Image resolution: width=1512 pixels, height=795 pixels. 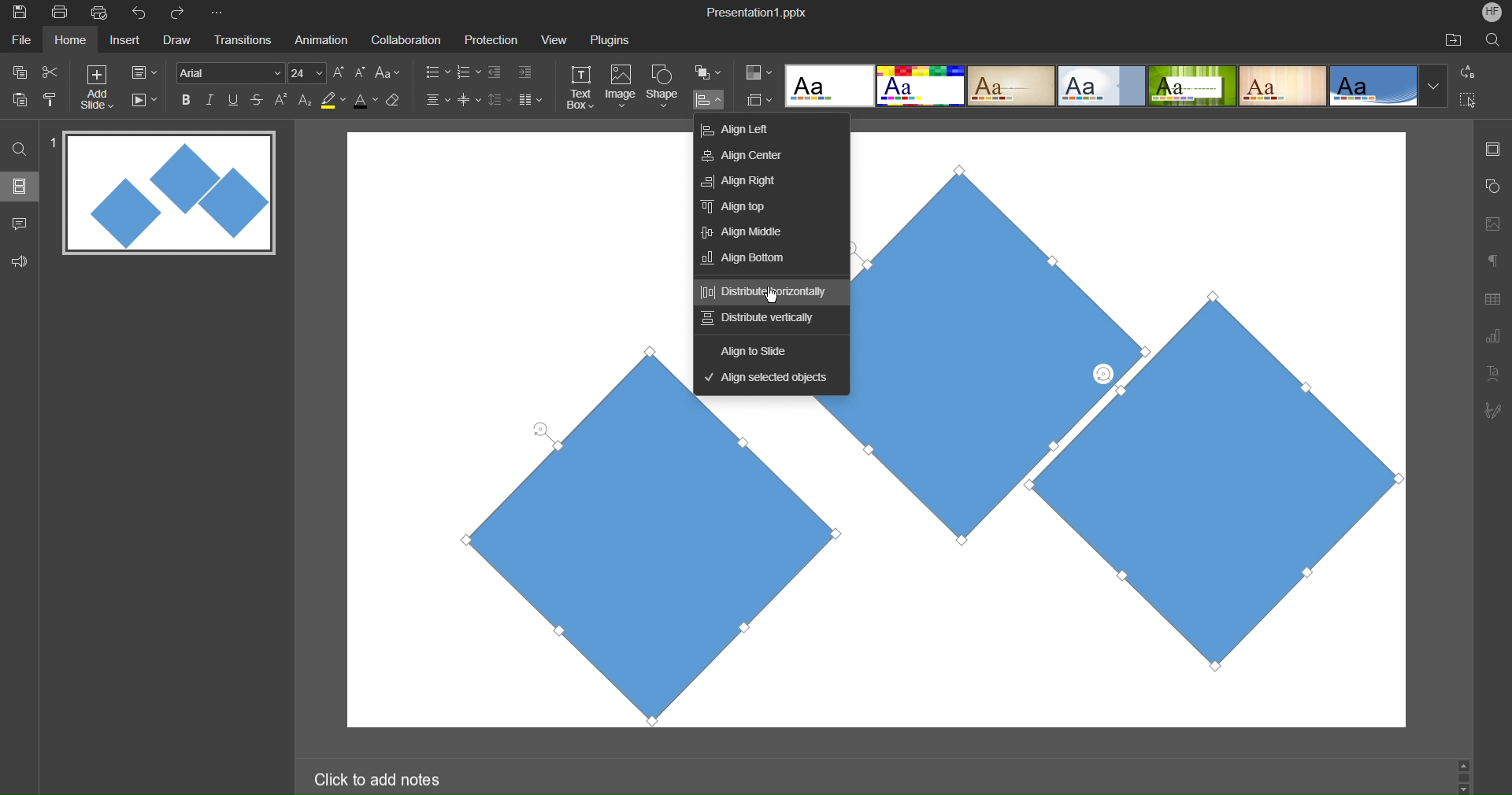 What do you see at coordinates (228, 72) in the screenshot?
I see `Font` at bounding box center [228, 72].